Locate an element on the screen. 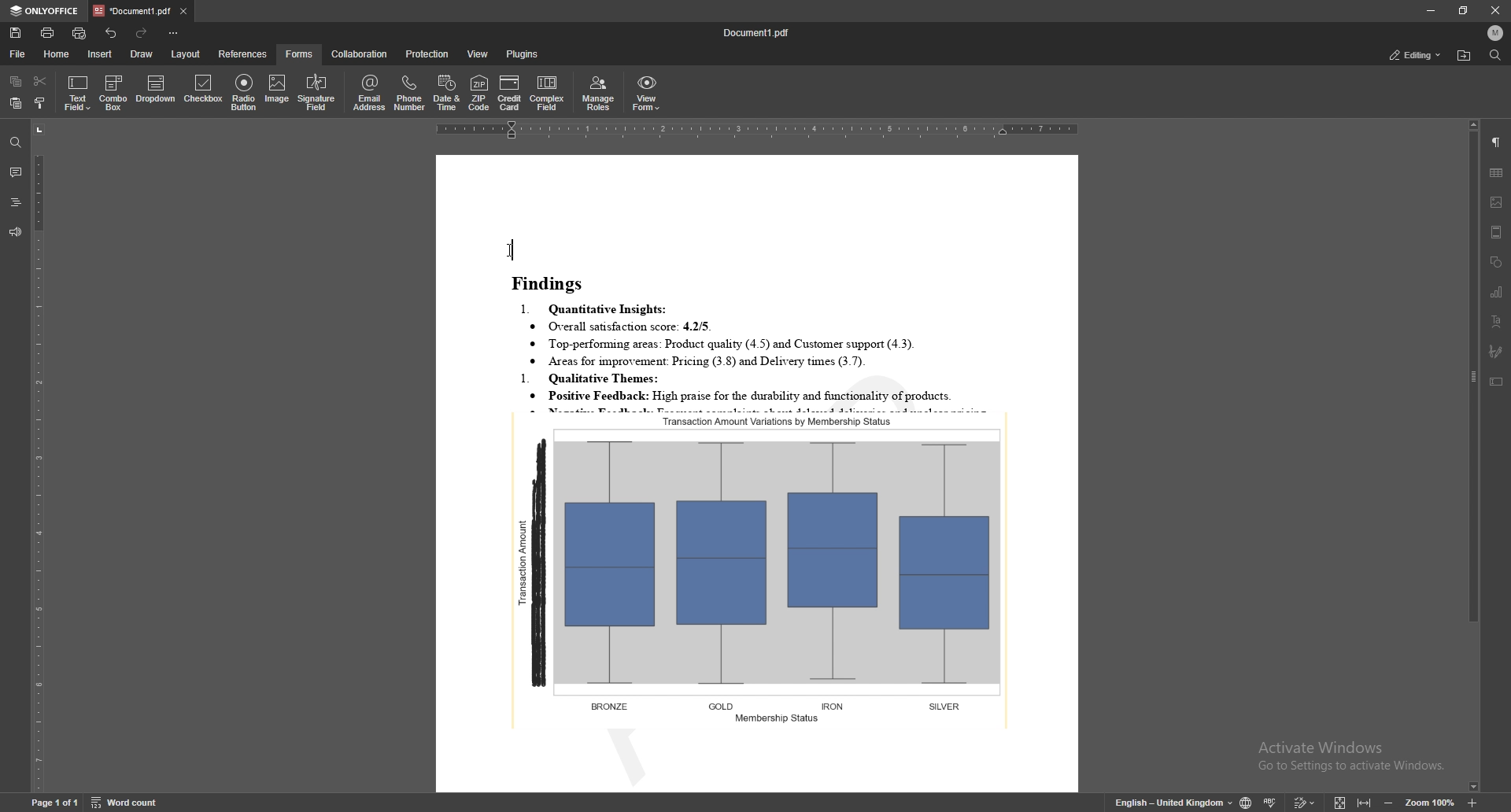 This screenshot has height=812, width=1511. shapes is located at coordinates (1498, 263).